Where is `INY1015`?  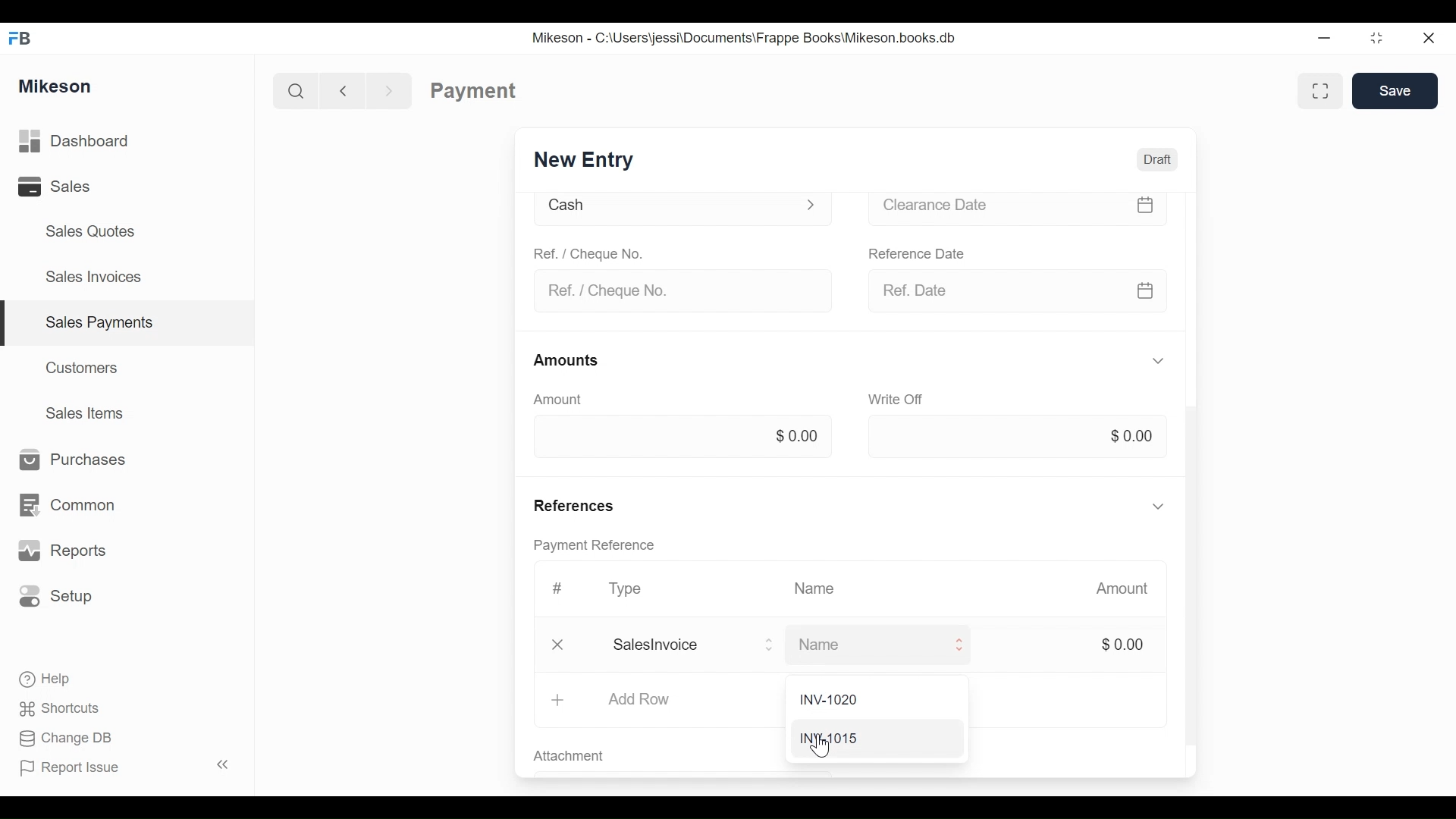
INY1015 is located at coordinates (828, 739).